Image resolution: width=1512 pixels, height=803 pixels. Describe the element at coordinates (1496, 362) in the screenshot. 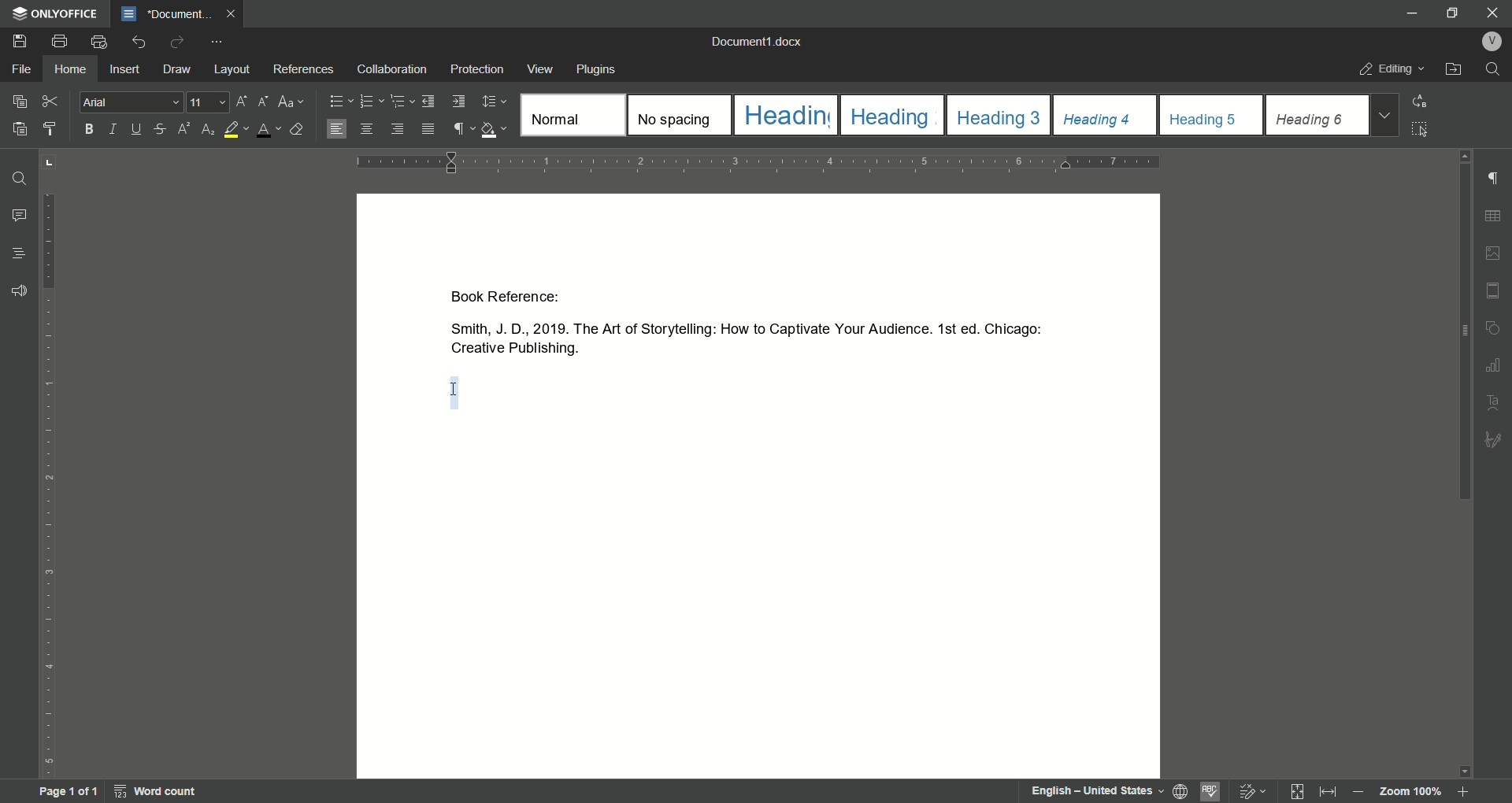

I see `chart` at that location.